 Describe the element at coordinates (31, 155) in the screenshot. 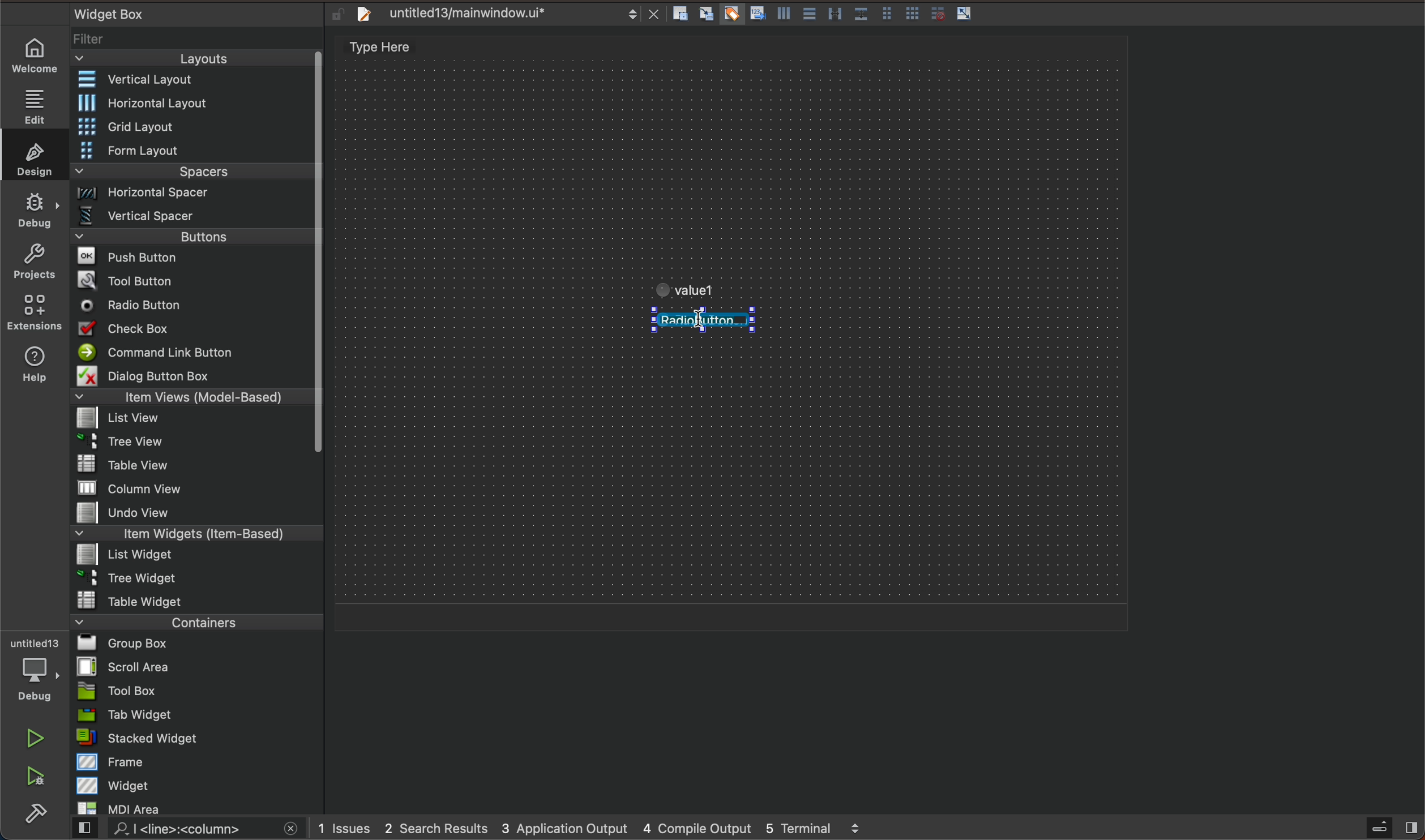

I see `design` at that location.